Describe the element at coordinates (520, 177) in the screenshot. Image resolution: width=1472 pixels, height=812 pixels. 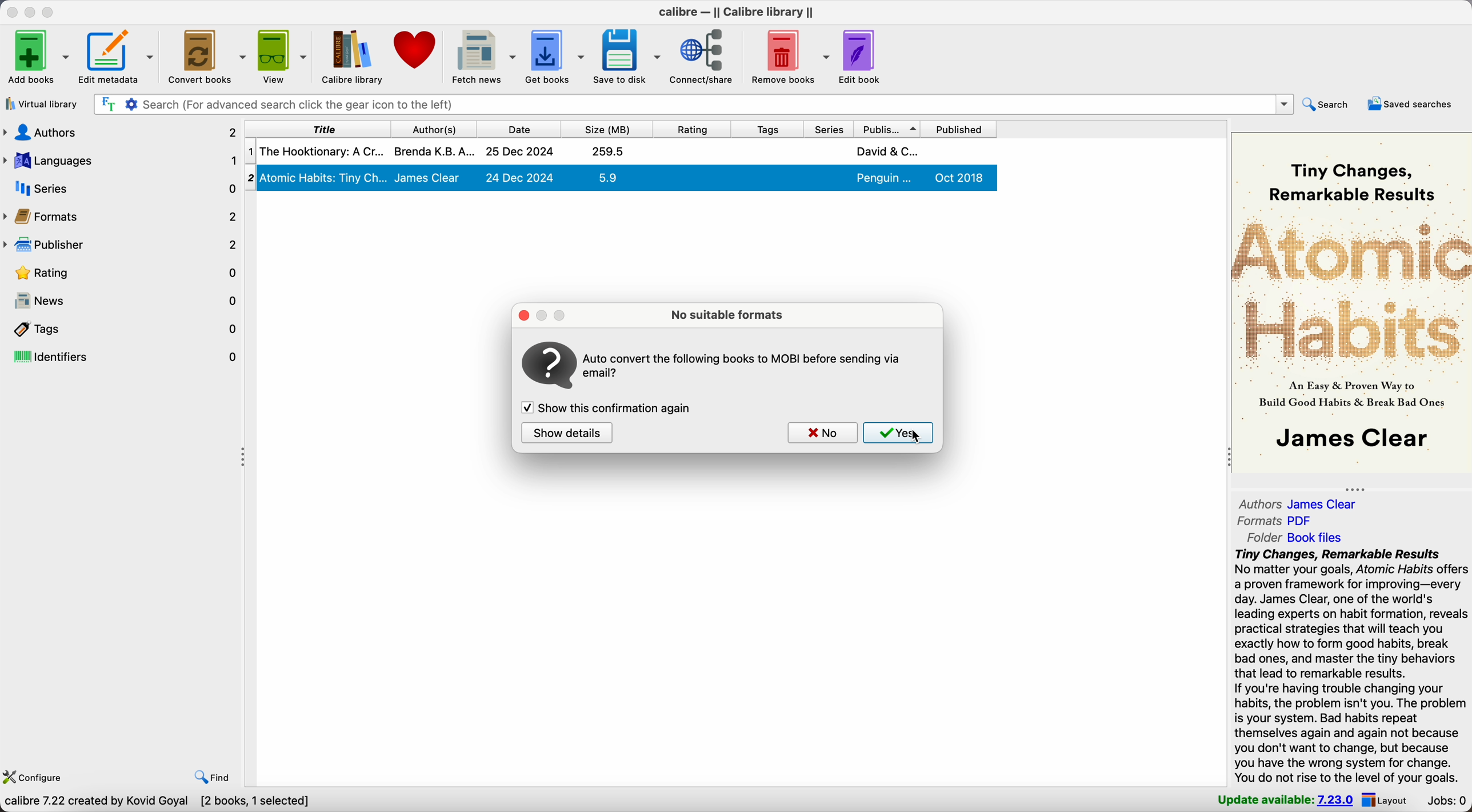
I see `24 Dec 2024` at that location.